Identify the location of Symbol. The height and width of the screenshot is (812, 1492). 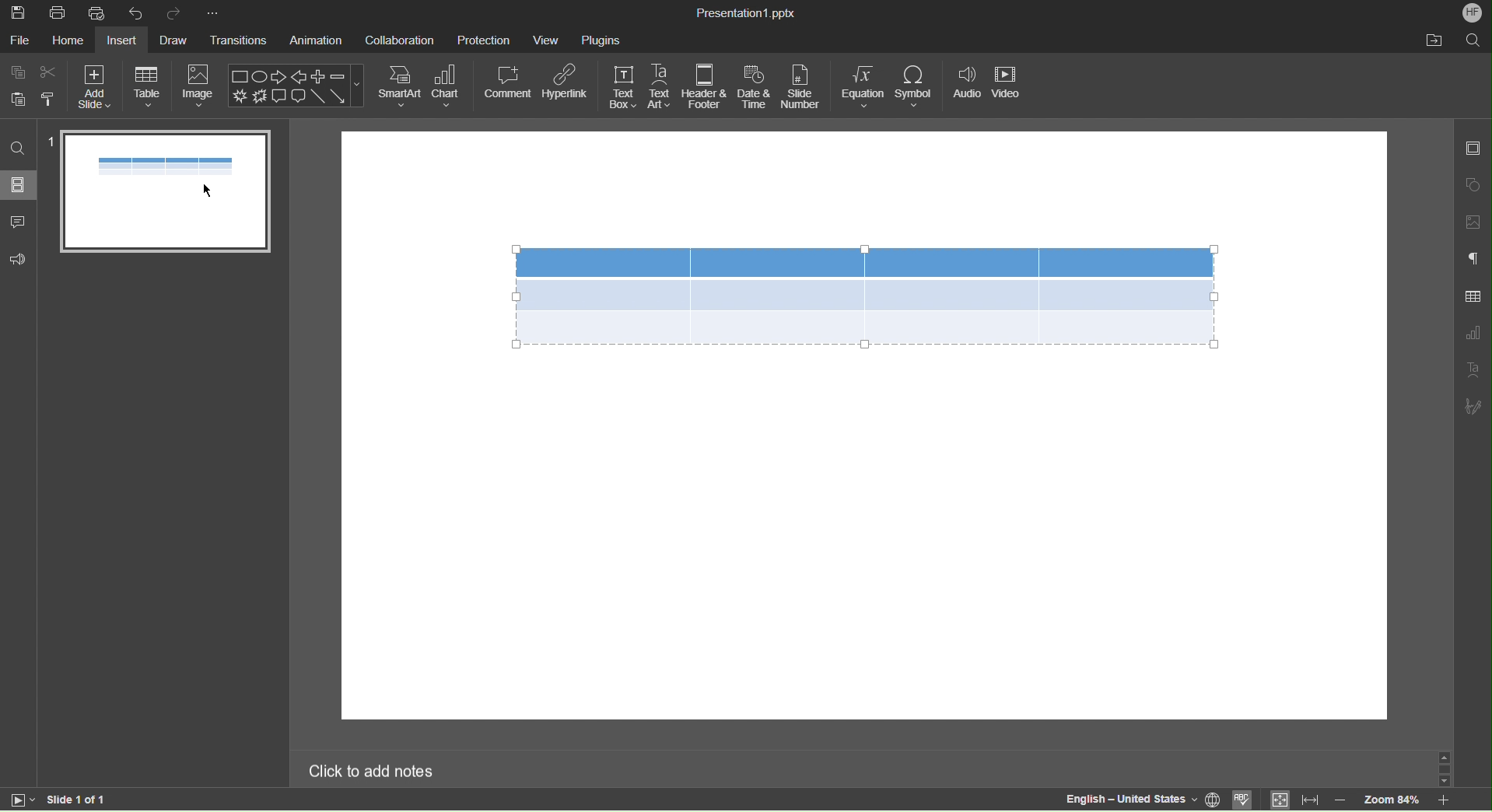
(918, 86).